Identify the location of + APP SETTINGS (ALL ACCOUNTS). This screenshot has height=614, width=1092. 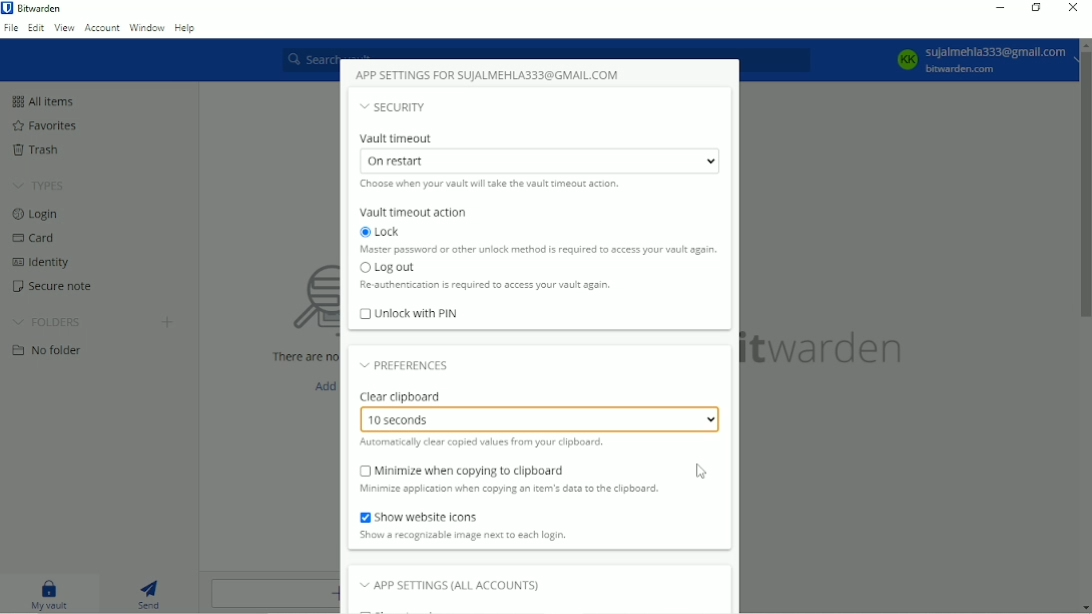
(475, 584).